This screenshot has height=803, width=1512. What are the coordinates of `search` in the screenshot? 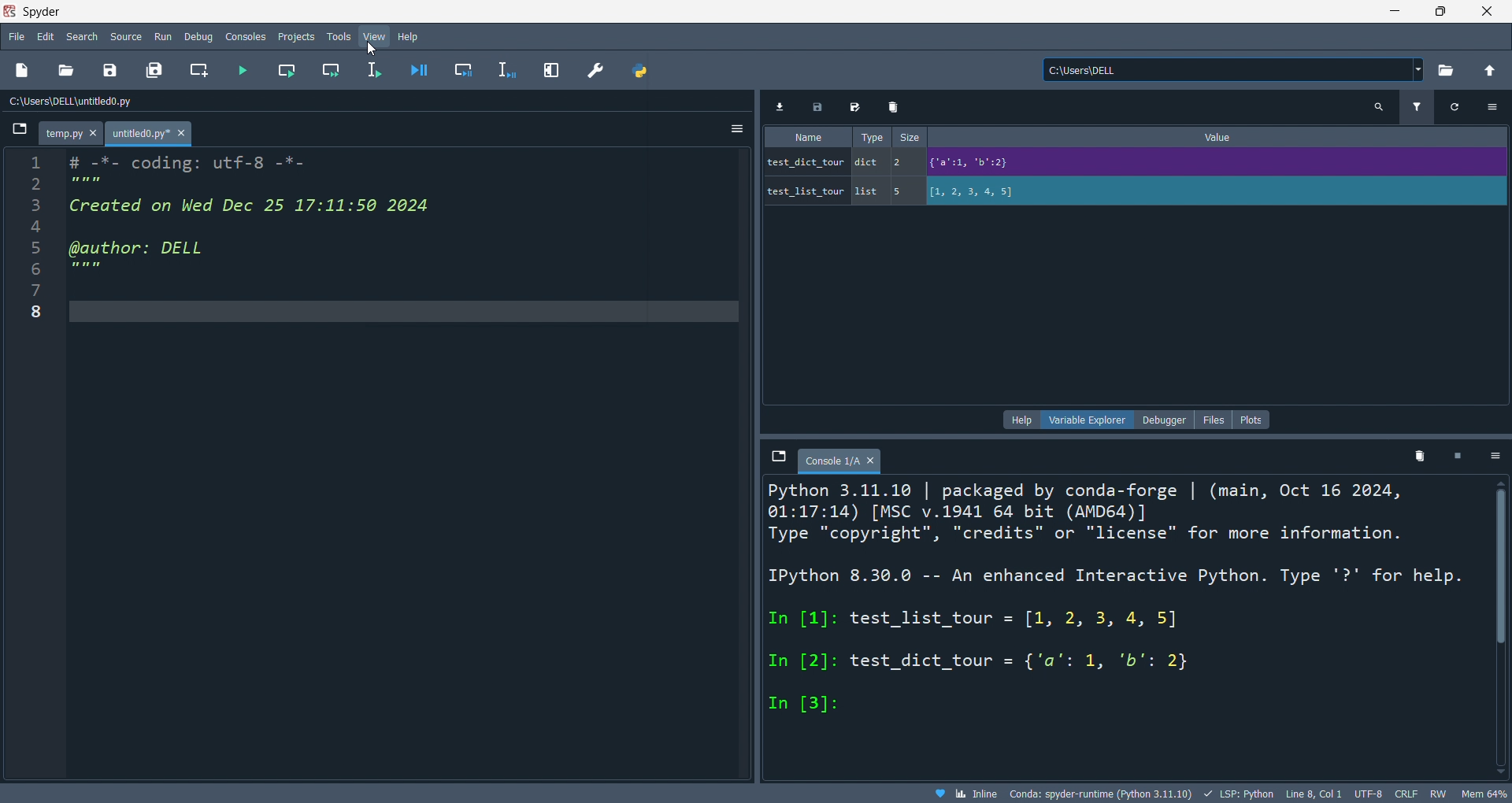 It's located at (83, 36).